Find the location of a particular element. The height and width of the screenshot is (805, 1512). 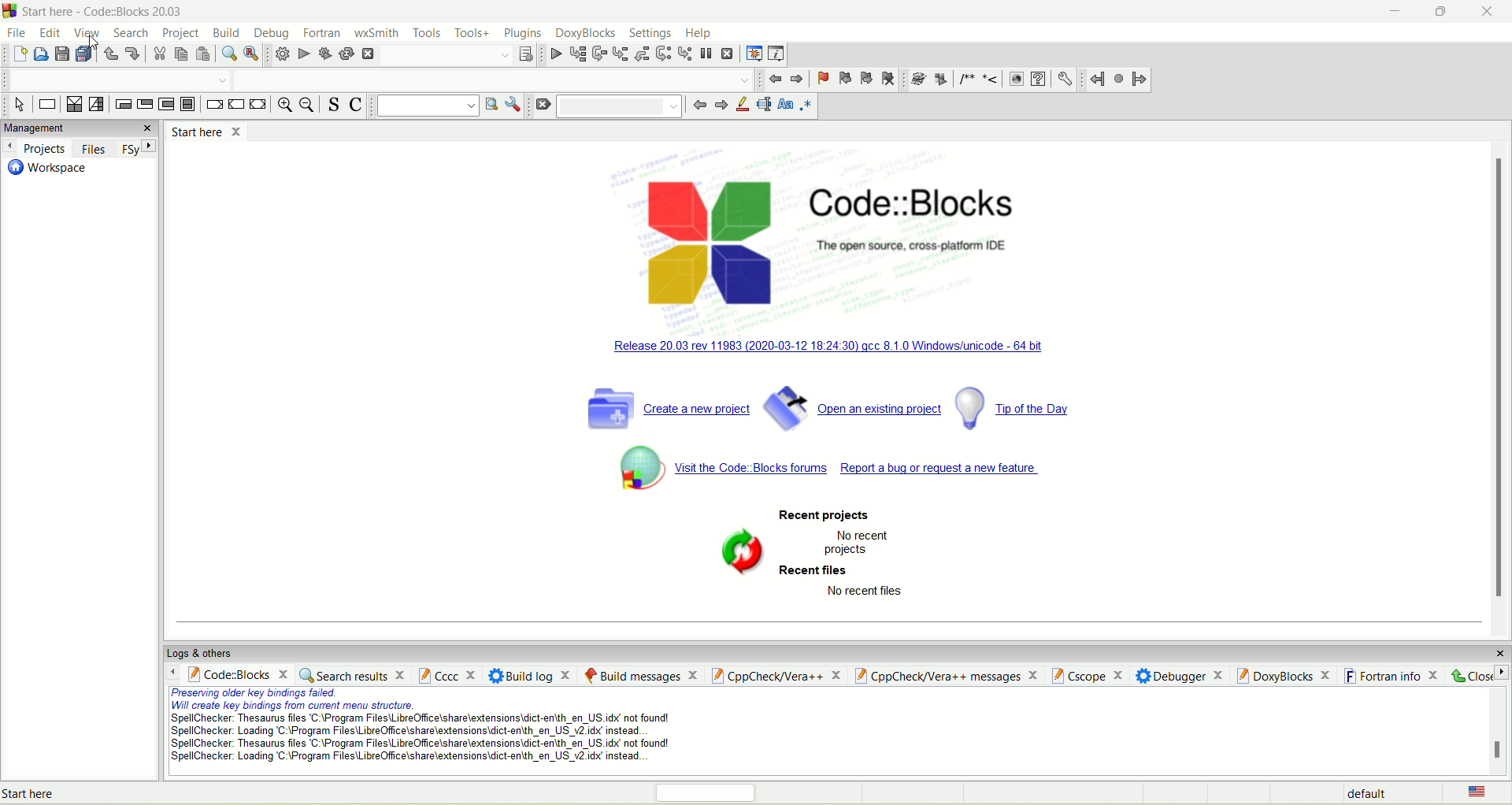

return instruction is located at coordinates (258, 106).